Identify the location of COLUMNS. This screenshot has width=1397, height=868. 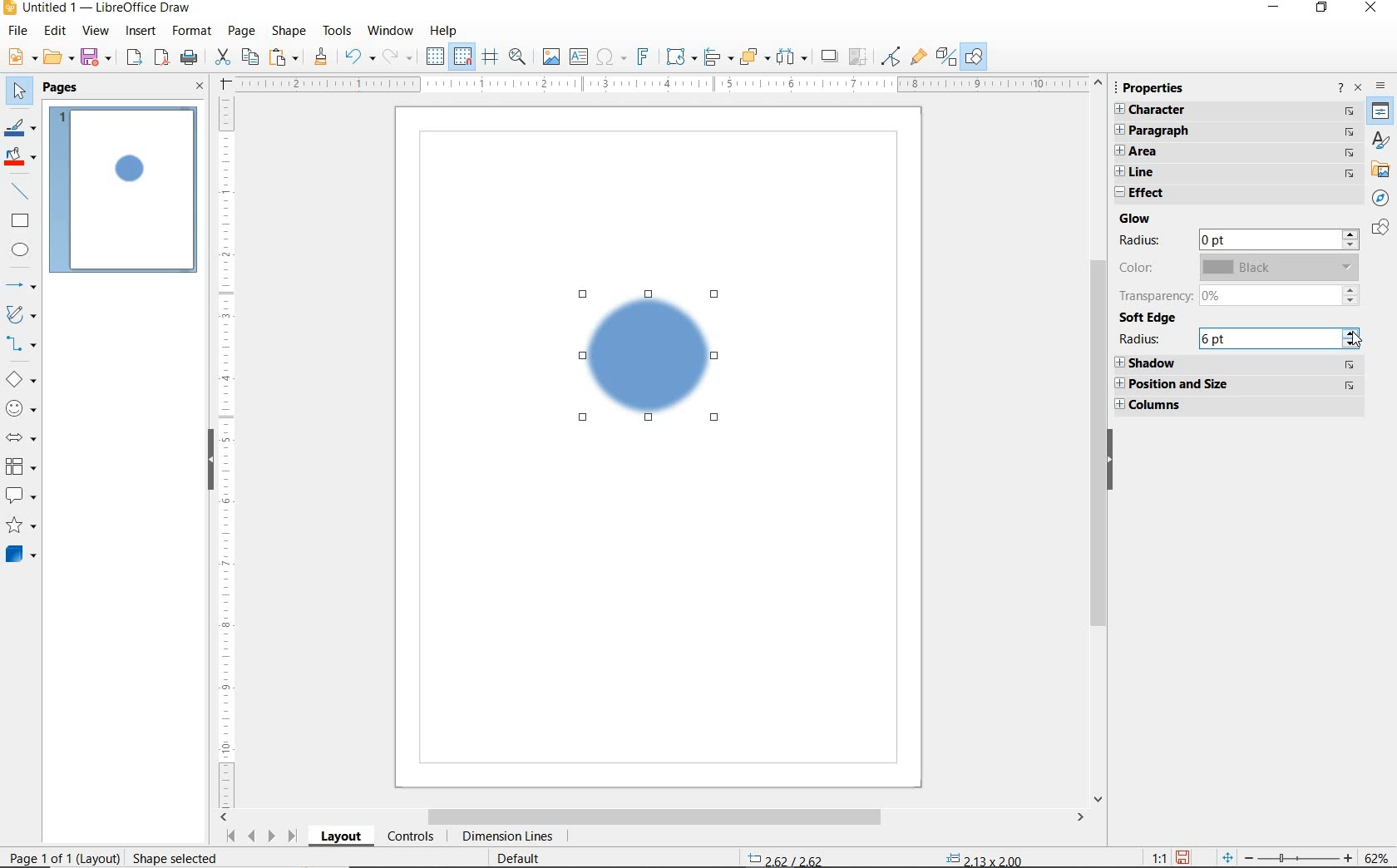
(1242, 407).